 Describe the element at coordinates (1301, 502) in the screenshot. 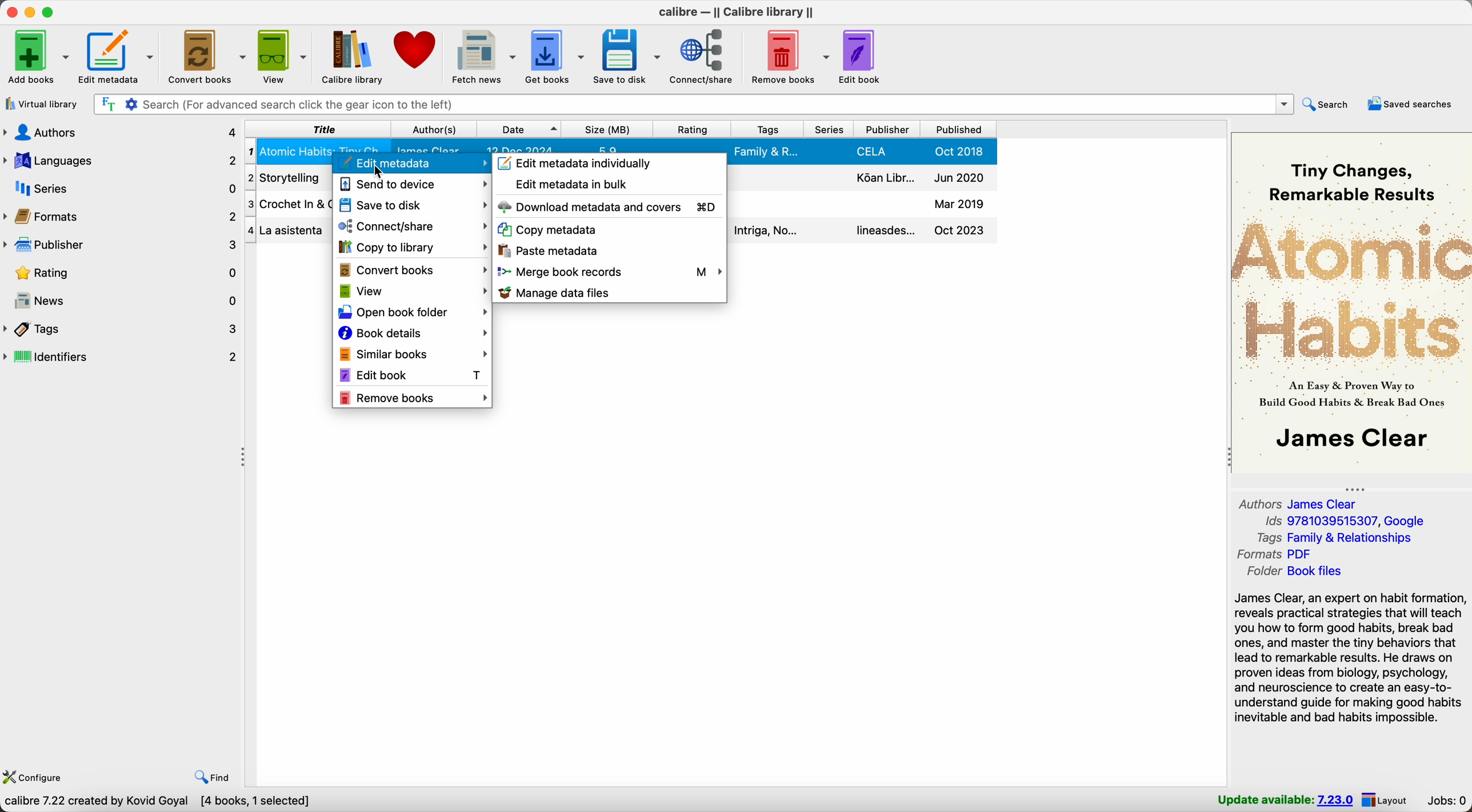

I see `authors` at that location.